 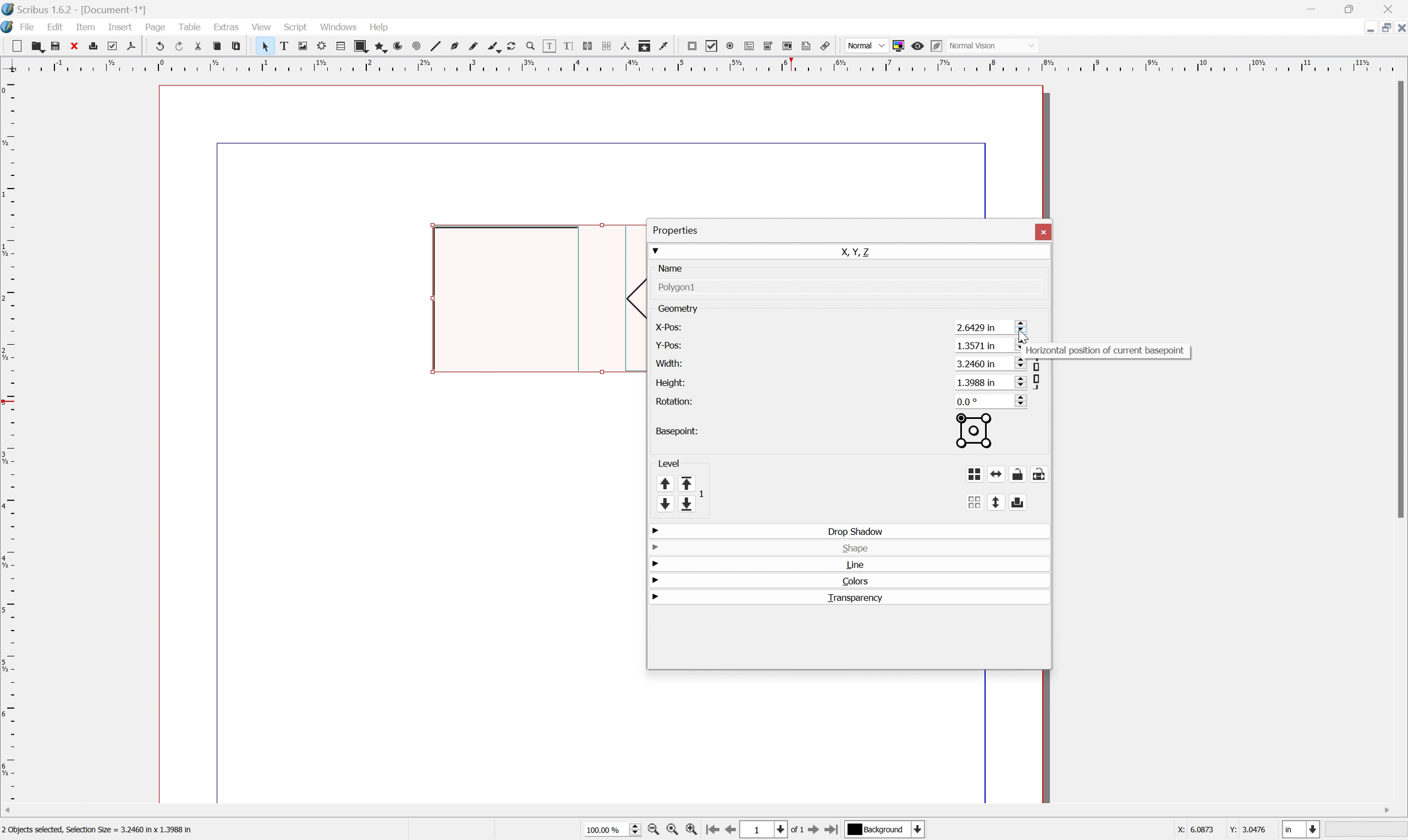 I want to click on Ruler, so click(x=706, y=63).